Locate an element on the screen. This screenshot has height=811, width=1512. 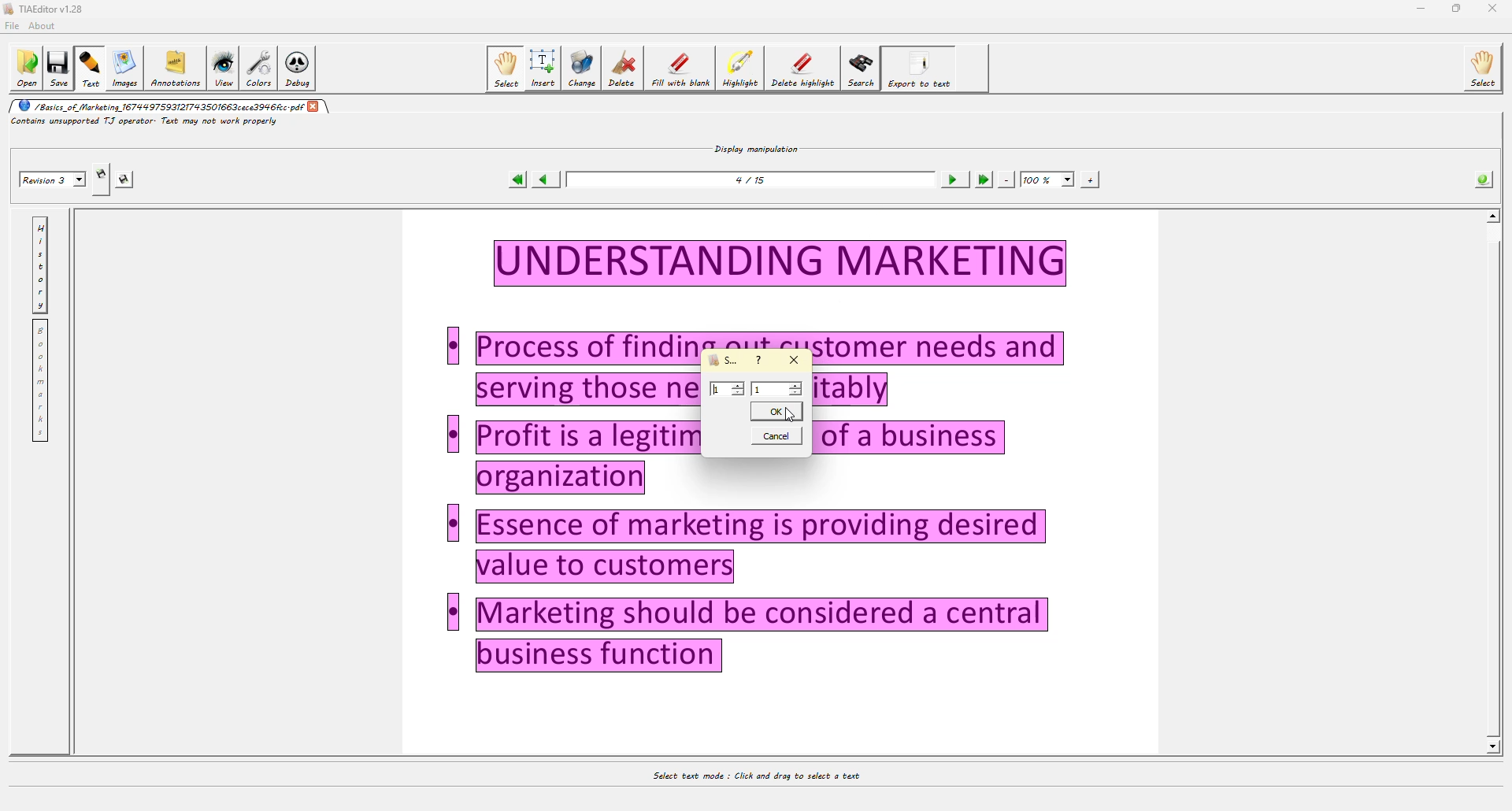
cursor is located at coordinates (787, 409).